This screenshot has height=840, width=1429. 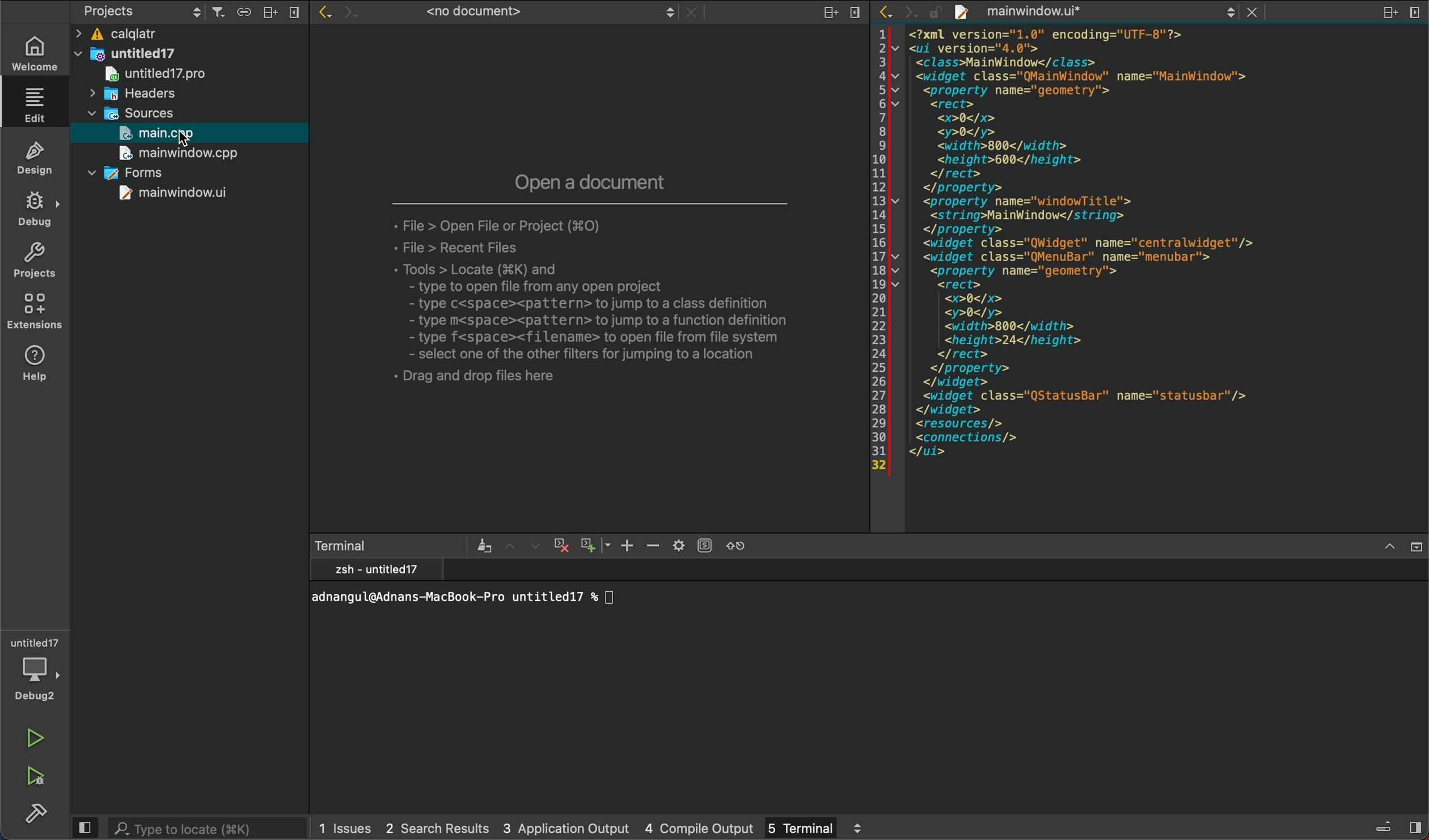 I want to click on untitled17, so click(x=126, y=54).